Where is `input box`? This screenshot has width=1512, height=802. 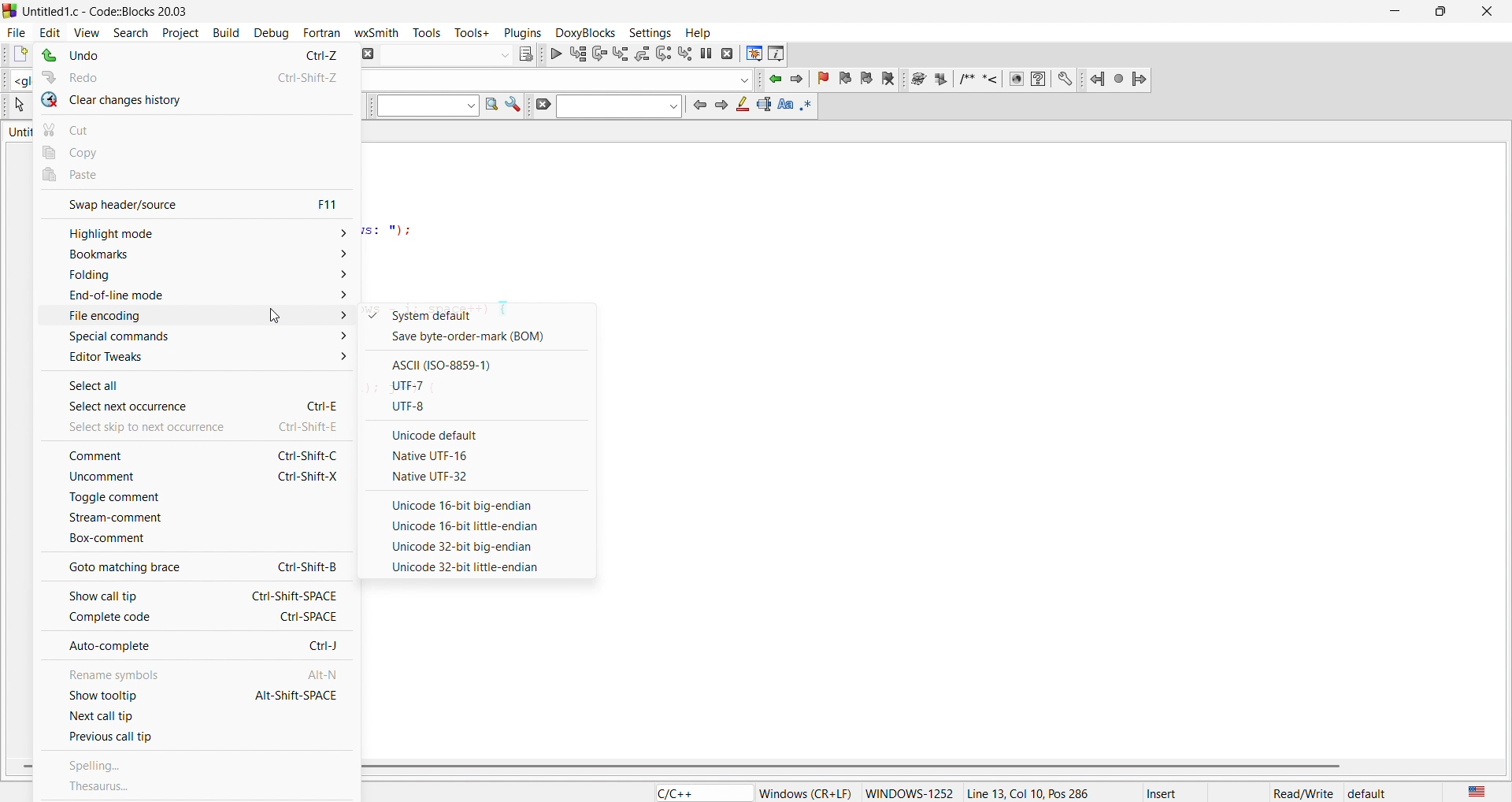 input box is located at coordinates (422, 106).